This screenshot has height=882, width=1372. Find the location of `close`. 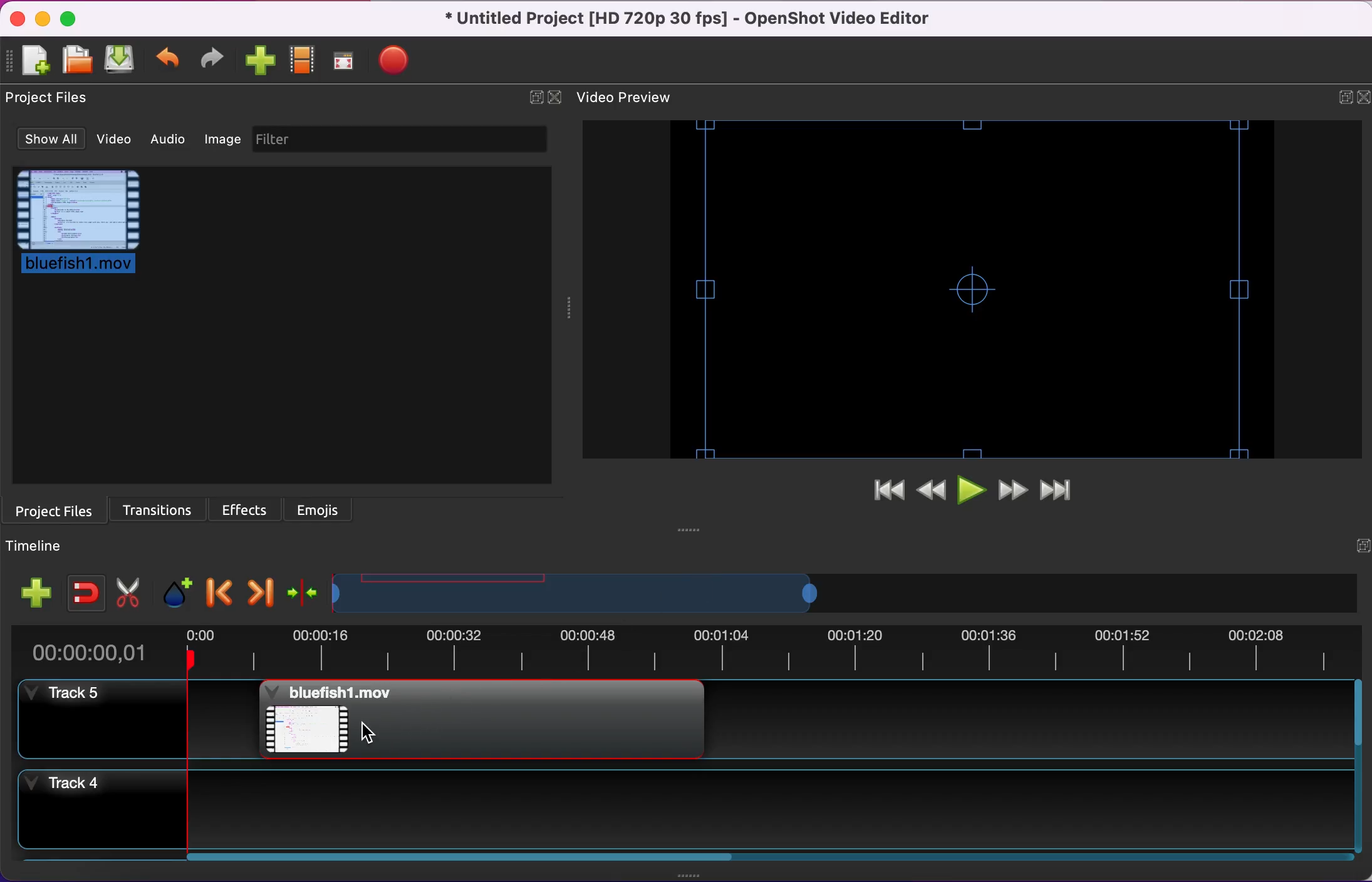

close is located at coordinates (556, 98).